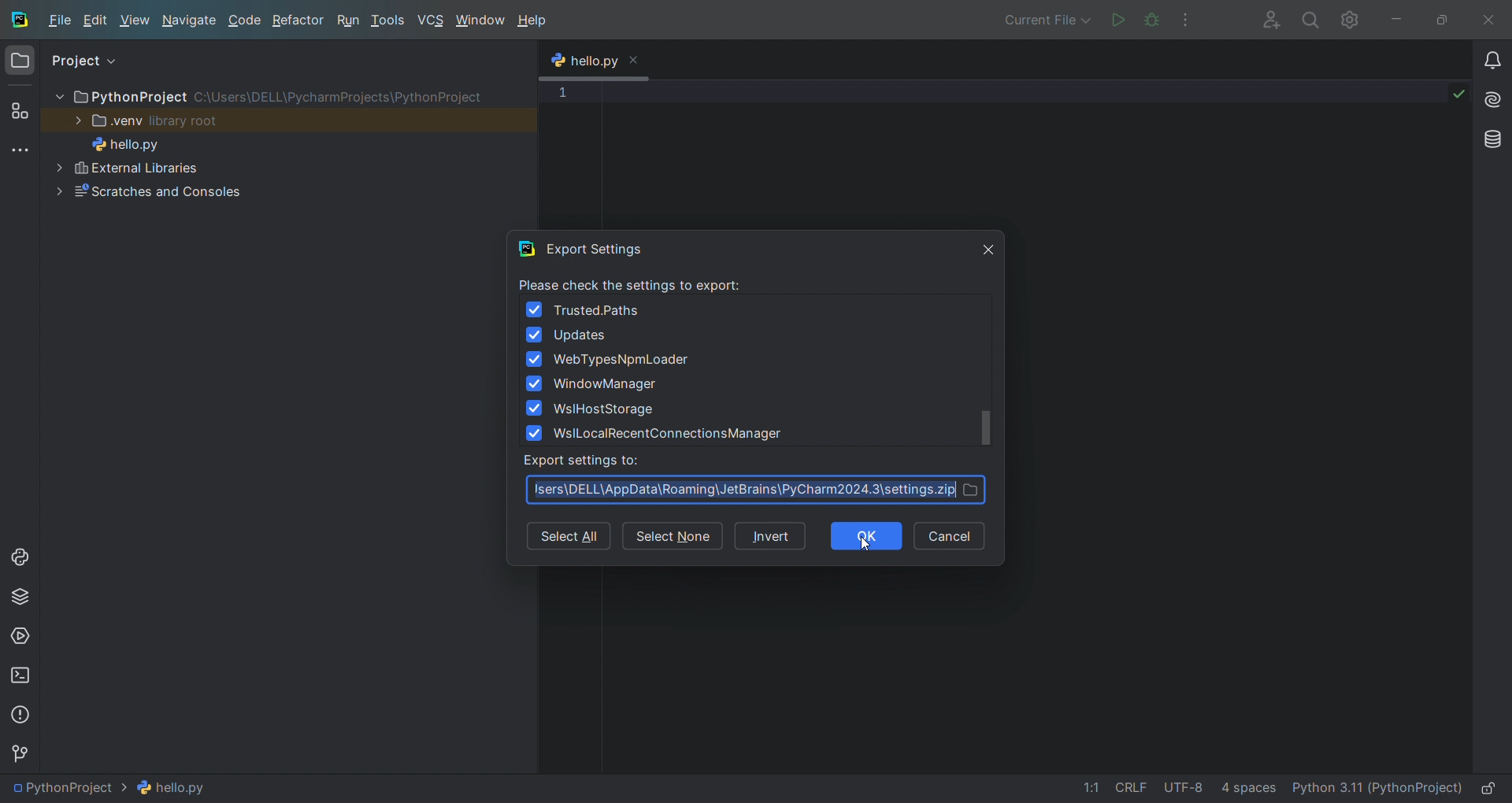 The image size is (1512, 803). What do you see at coordinates (198, 191) in the screenshot?
I see `Scratches and Consoles` at bounding box center [198, 191].